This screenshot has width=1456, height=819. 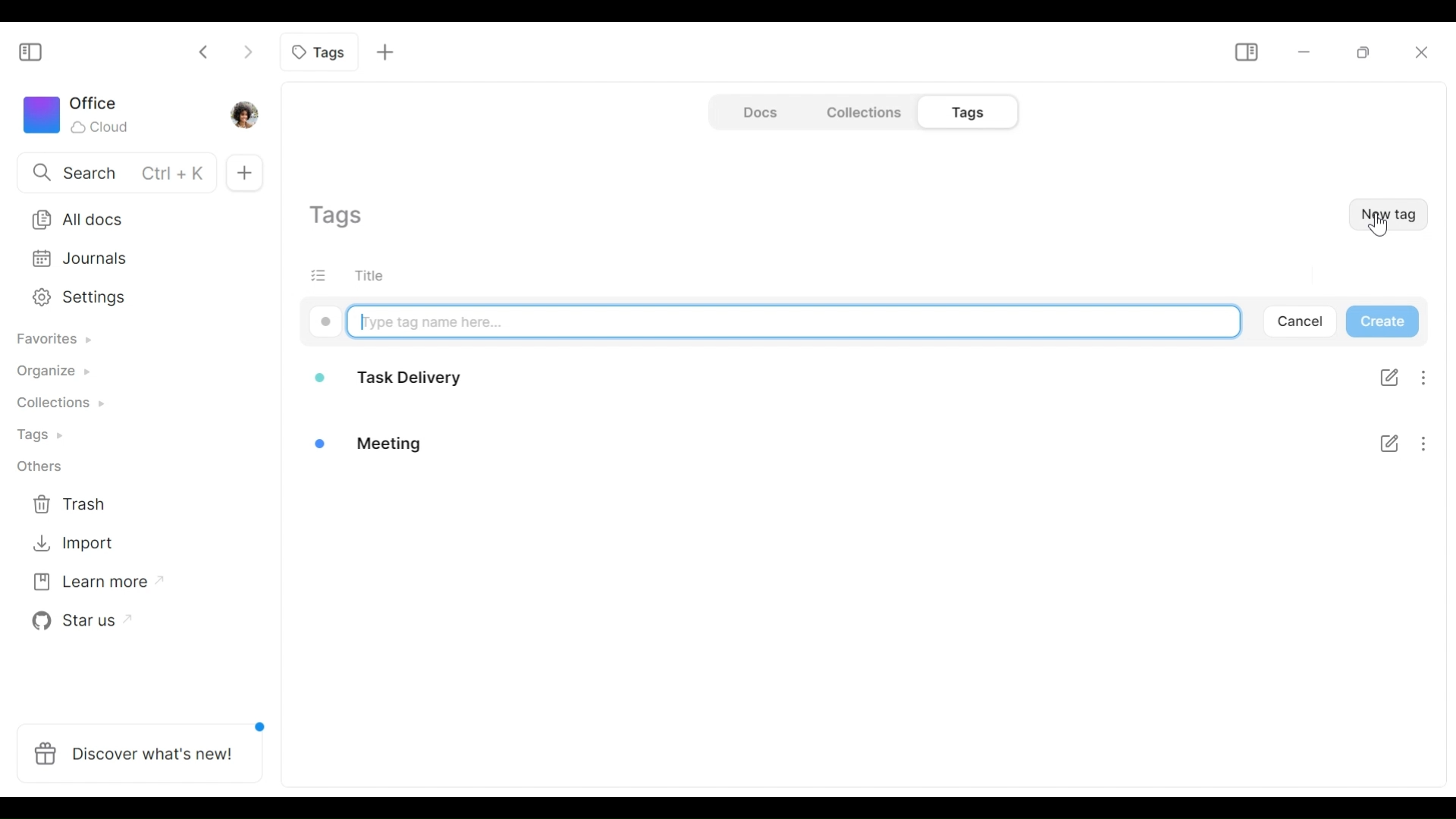 I want to click on Settings, so click(x=131, y=297).